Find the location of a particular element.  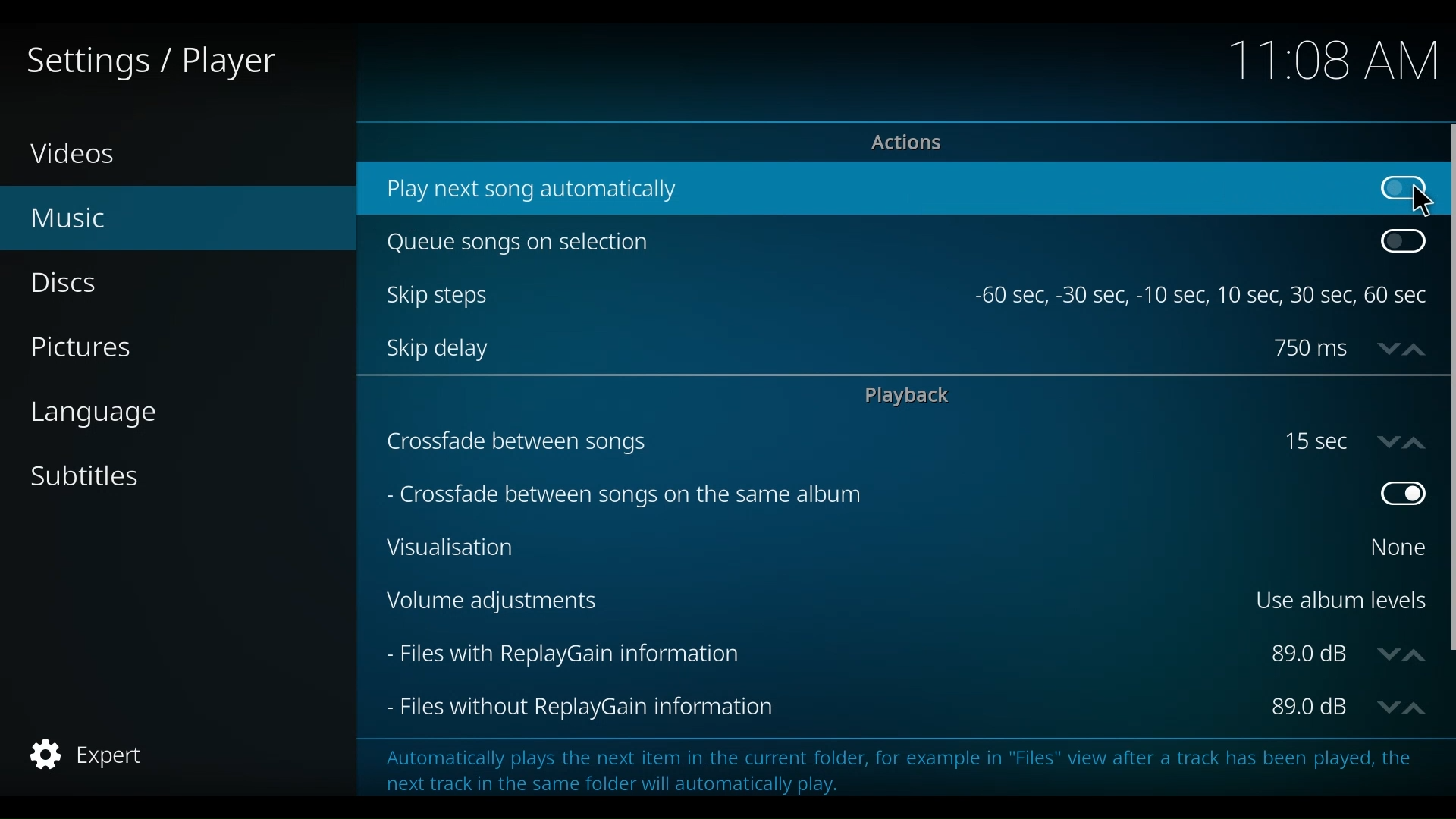

Automatically plays the next item in the current folder, for example in "Files" view after a track has been played, thenext track in the same folder will automatically play is located at coordinates (888, 766).